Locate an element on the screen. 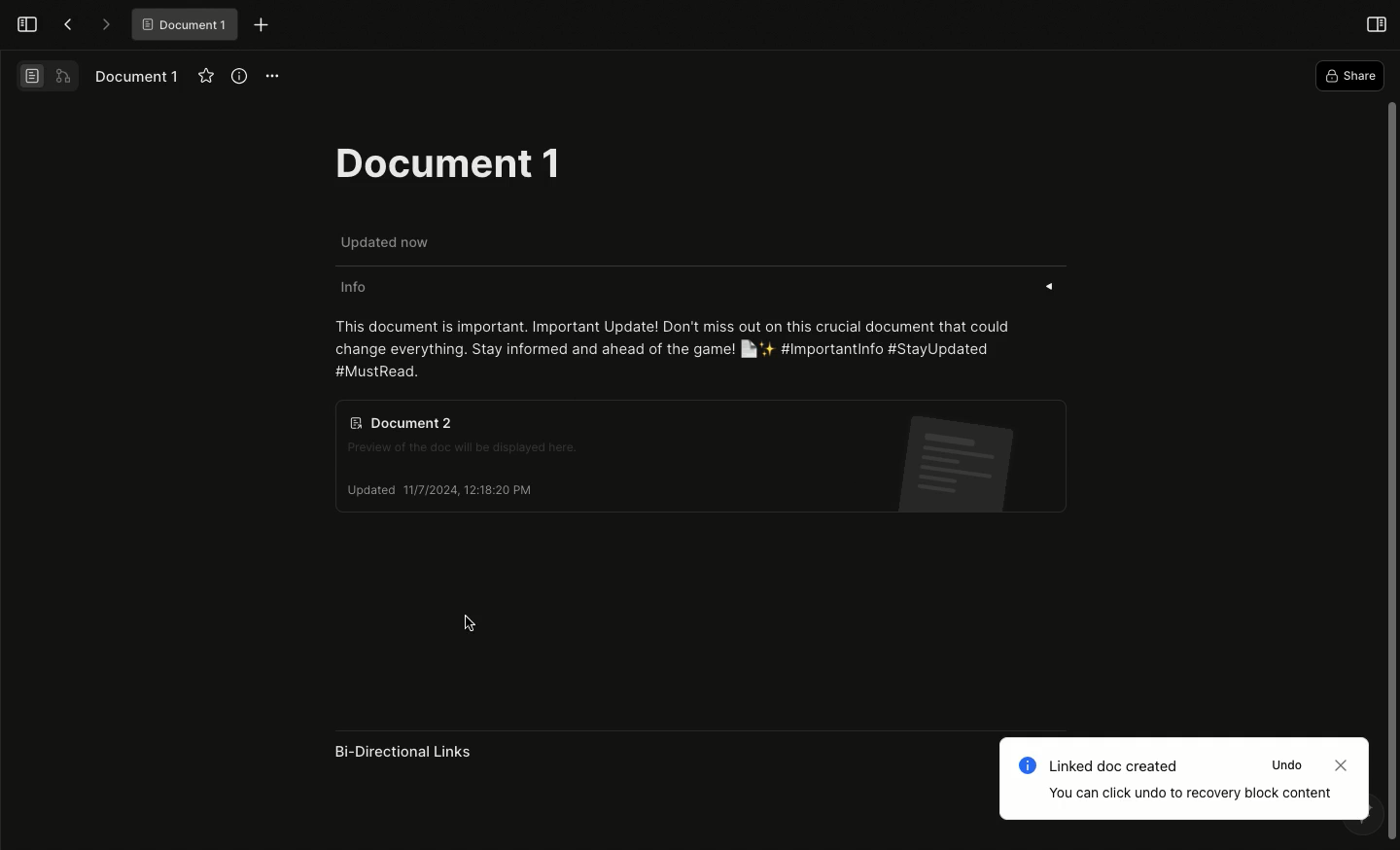  Updated now is located at coordinates (388, 241).